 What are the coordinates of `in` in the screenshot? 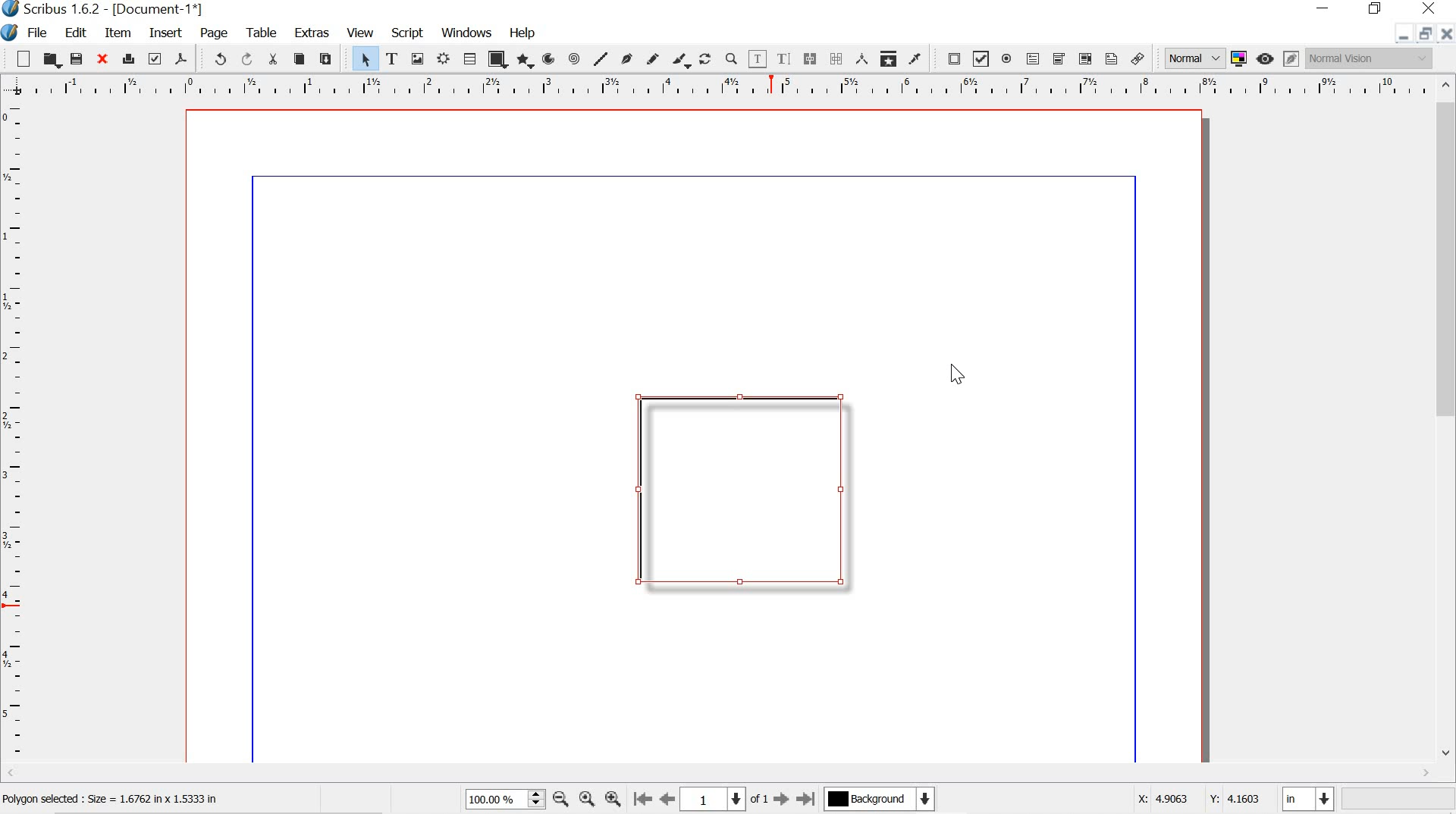 It's located at (1310, 800).